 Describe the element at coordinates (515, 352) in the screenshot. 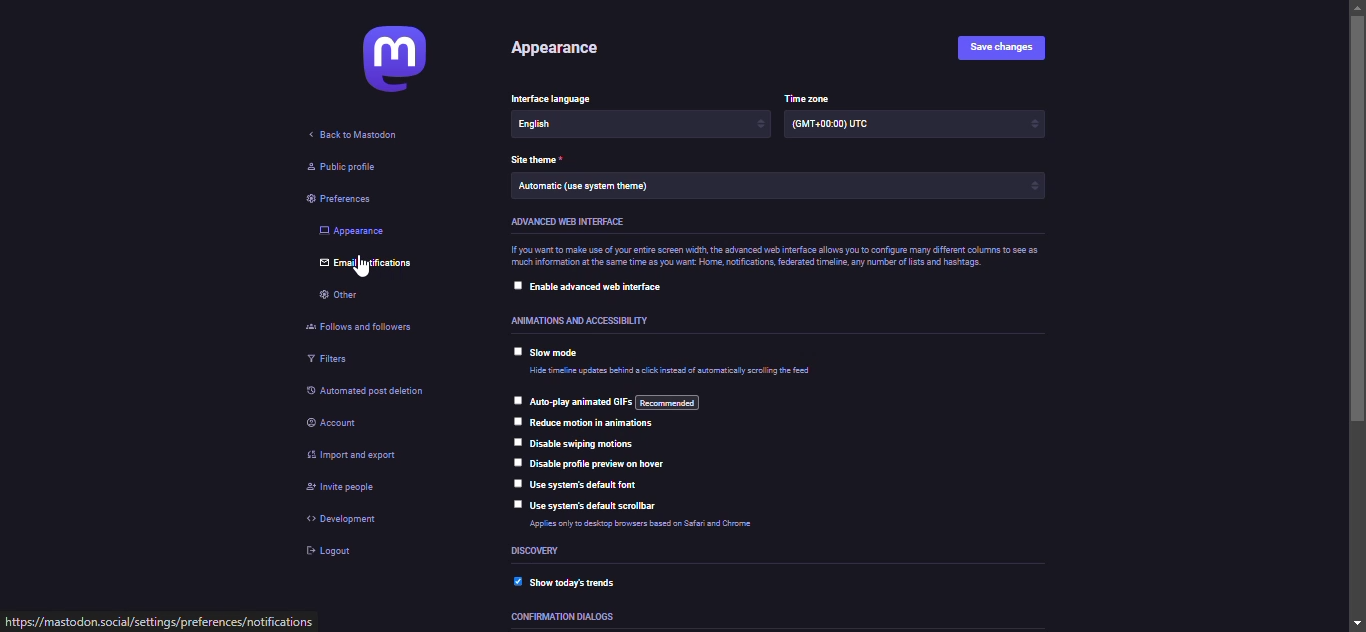

I see `click to select` at that location.